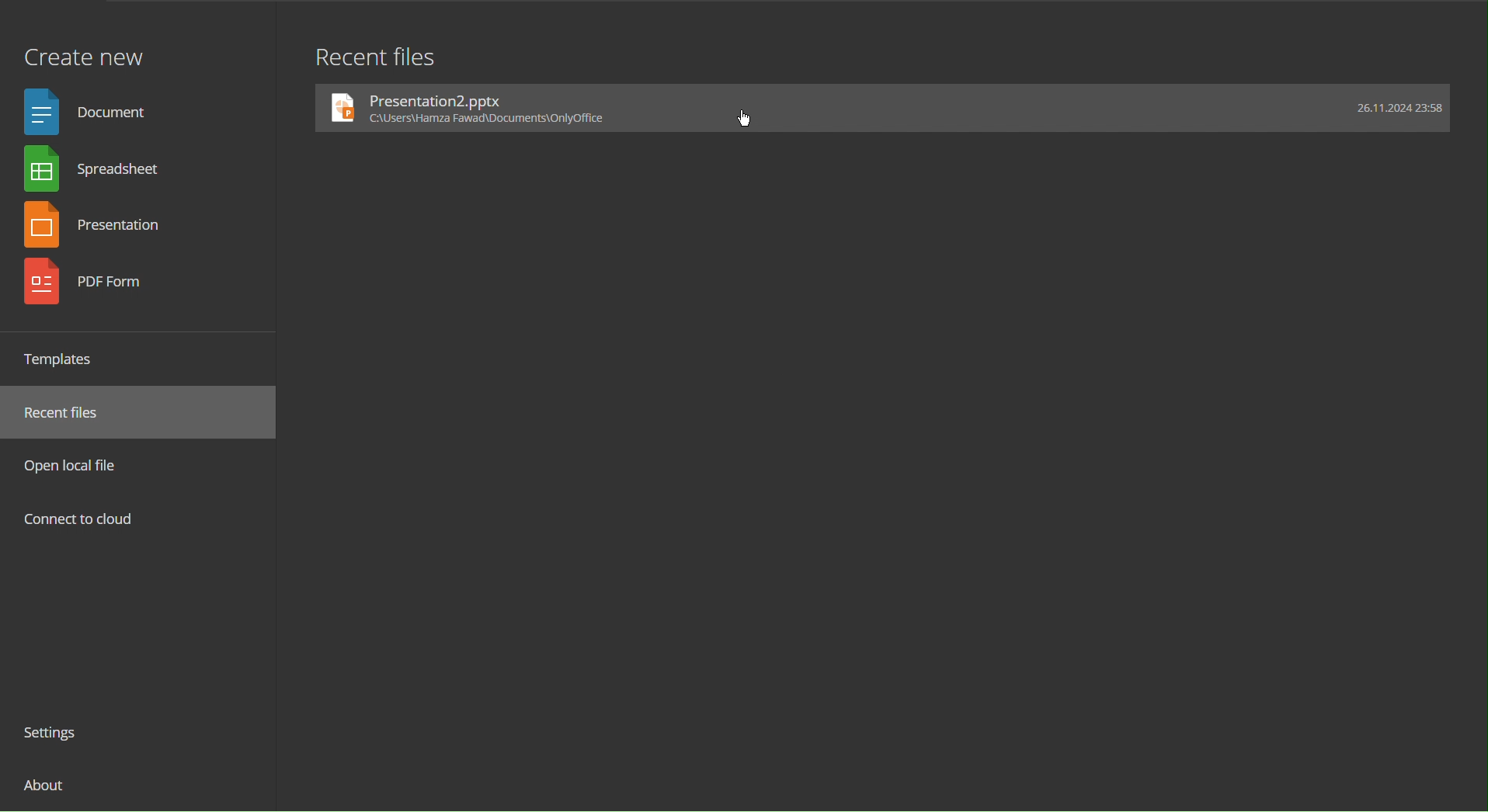  I want to click on Open Local File, so click(76, 465).